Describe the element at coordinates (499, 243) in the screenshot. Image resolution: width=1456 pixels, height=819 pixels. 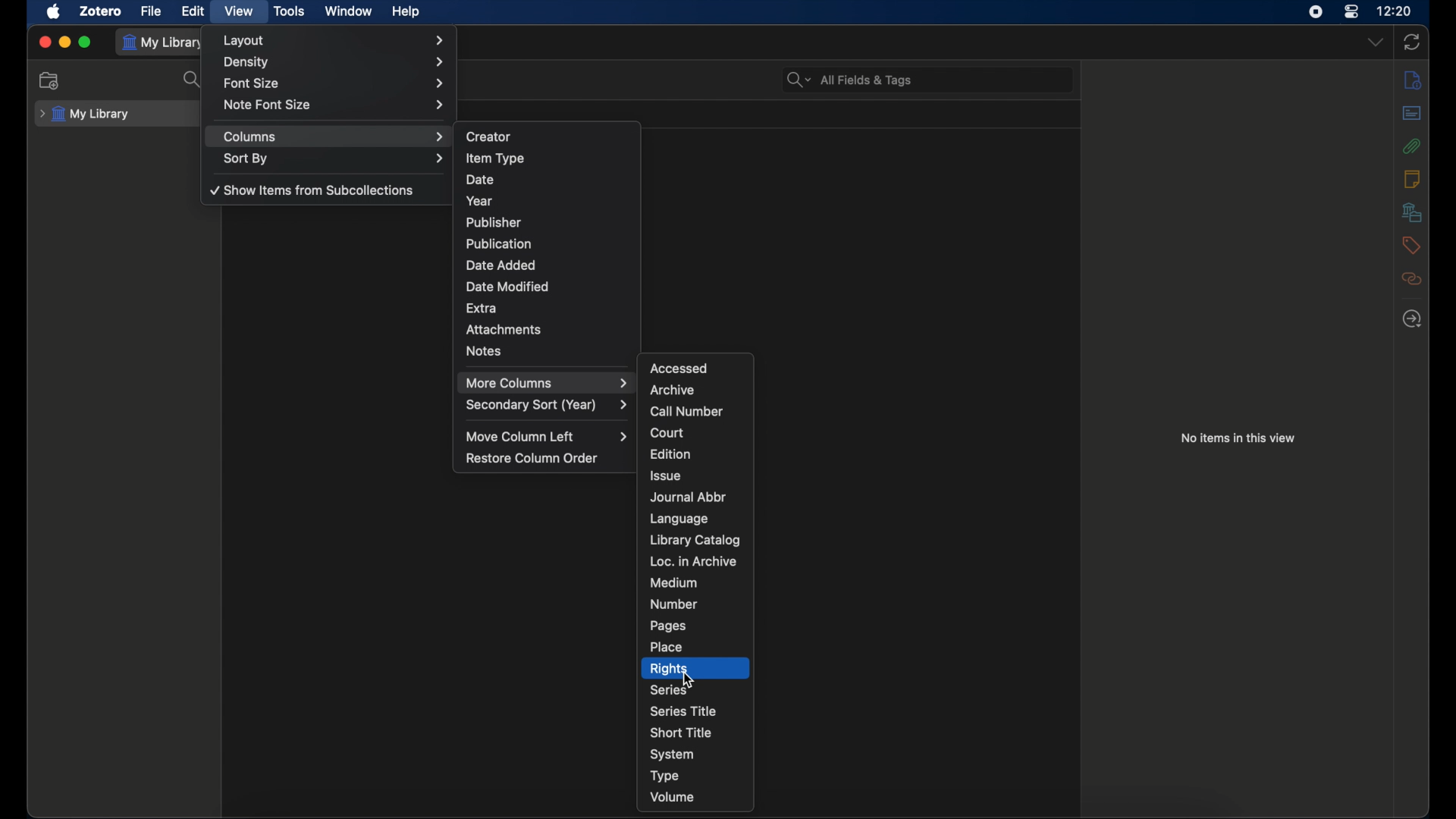
I see `publication` at that location.